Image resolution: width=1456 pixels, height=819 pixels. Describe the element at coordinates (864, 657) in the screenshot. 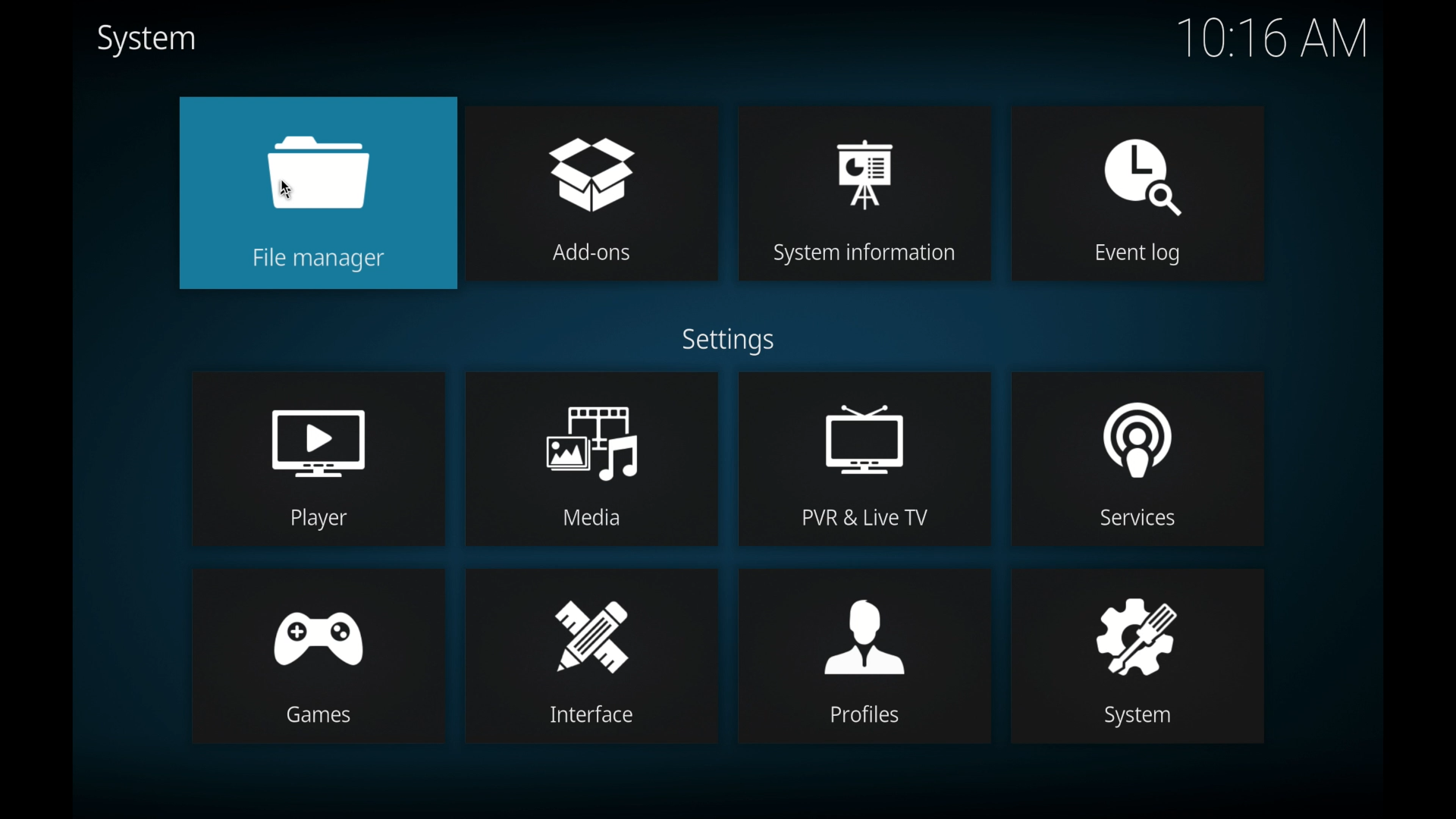

I see `profiles` at that location.